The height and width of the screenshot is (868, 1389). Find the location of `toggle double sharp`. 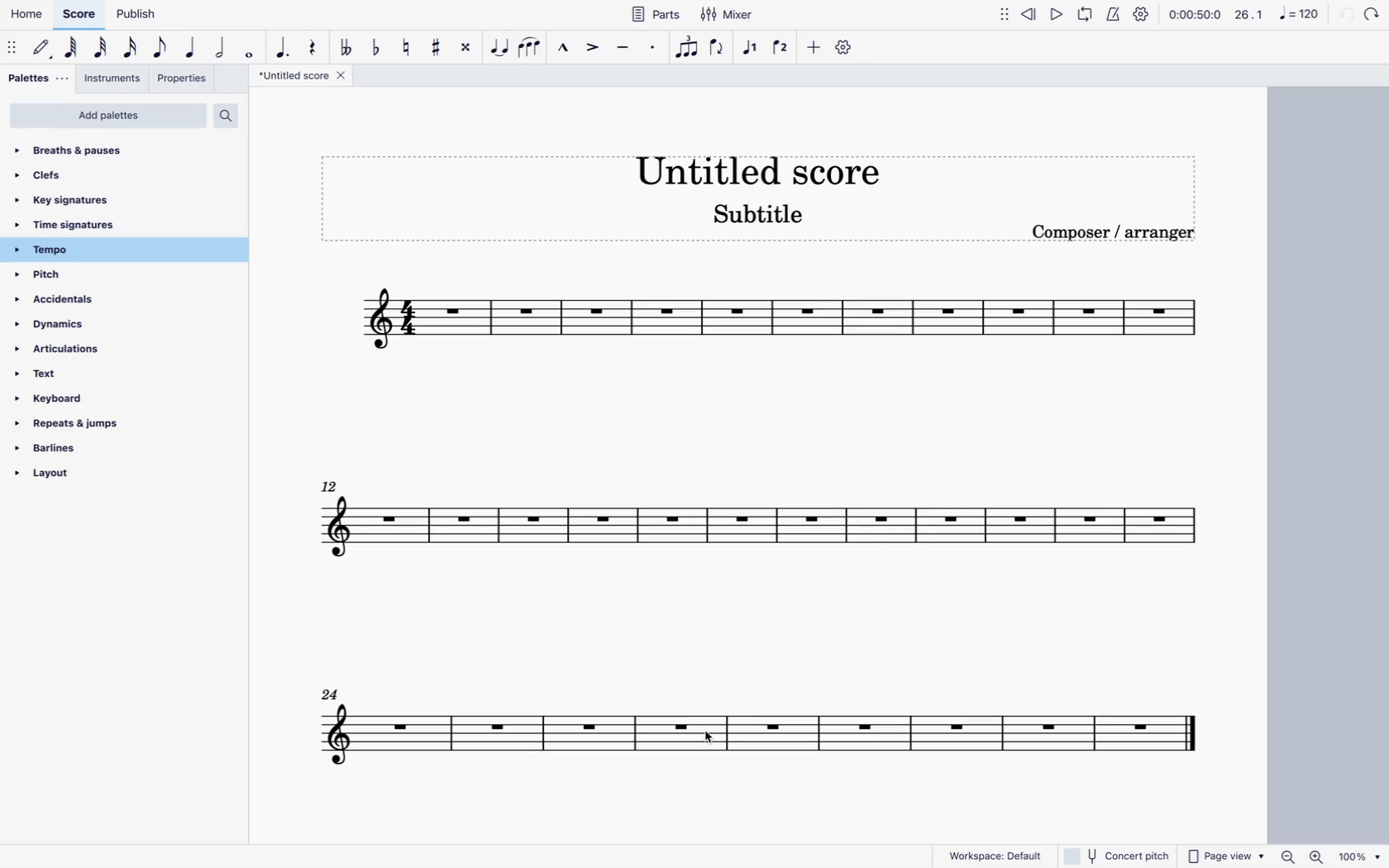

toggle double sharp is located at coordinates (464, 47).